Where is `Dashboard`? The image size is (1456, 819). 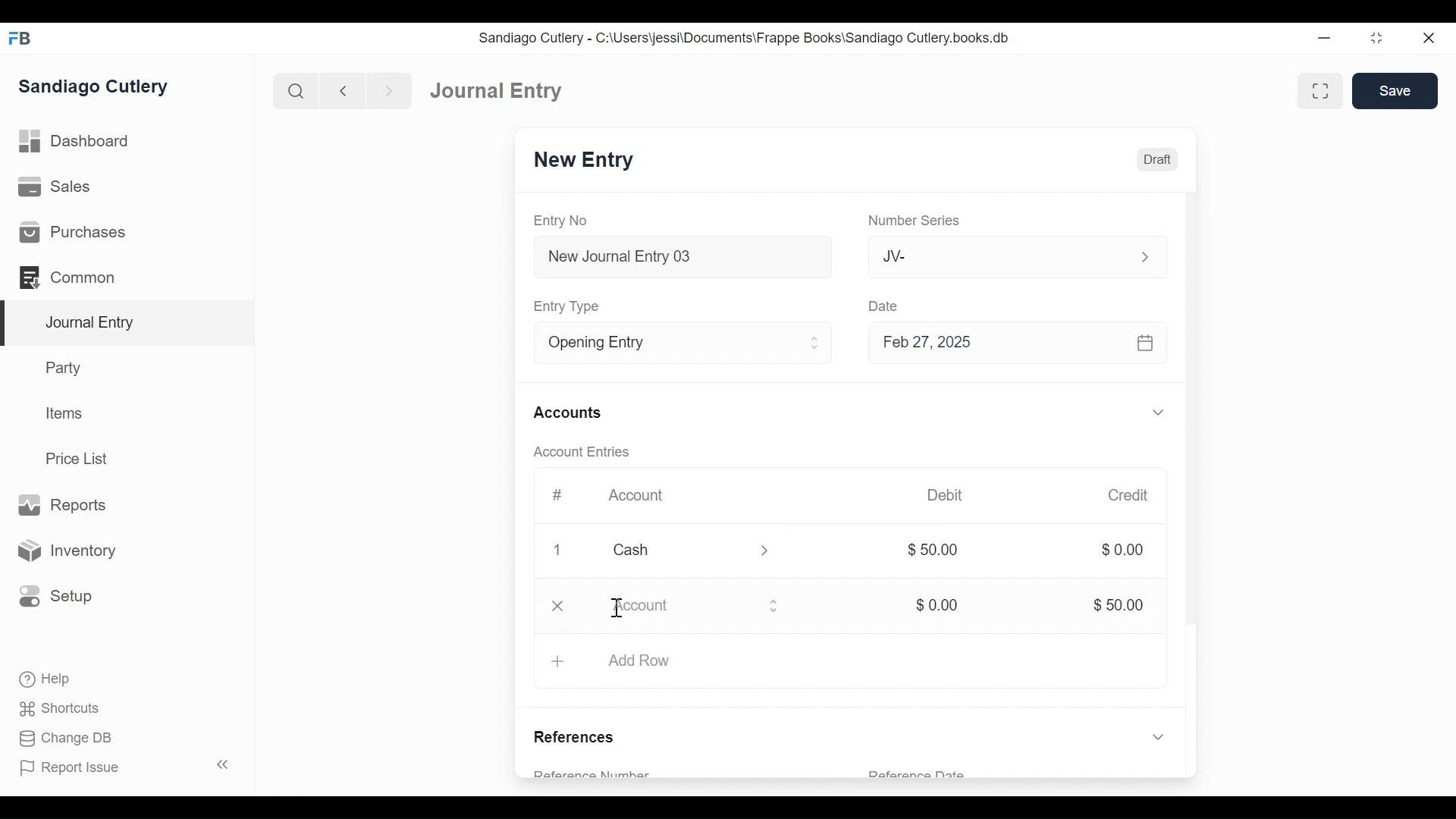 Dashboard is located at coordinates (75, 142).